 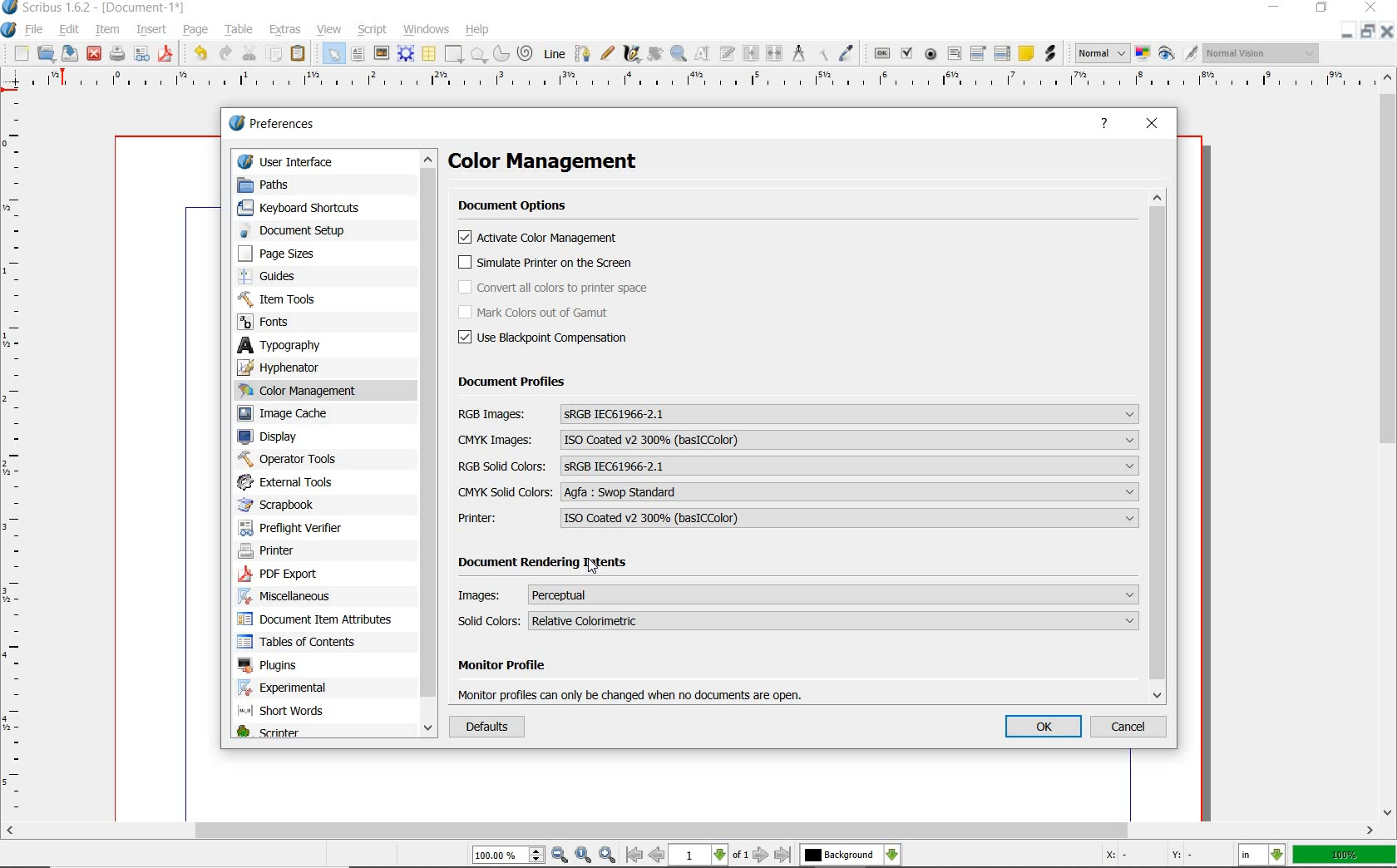 What do you see at coordinates (21, 54) in the screenshot?
I see `new` at bounding box center [21, 54].